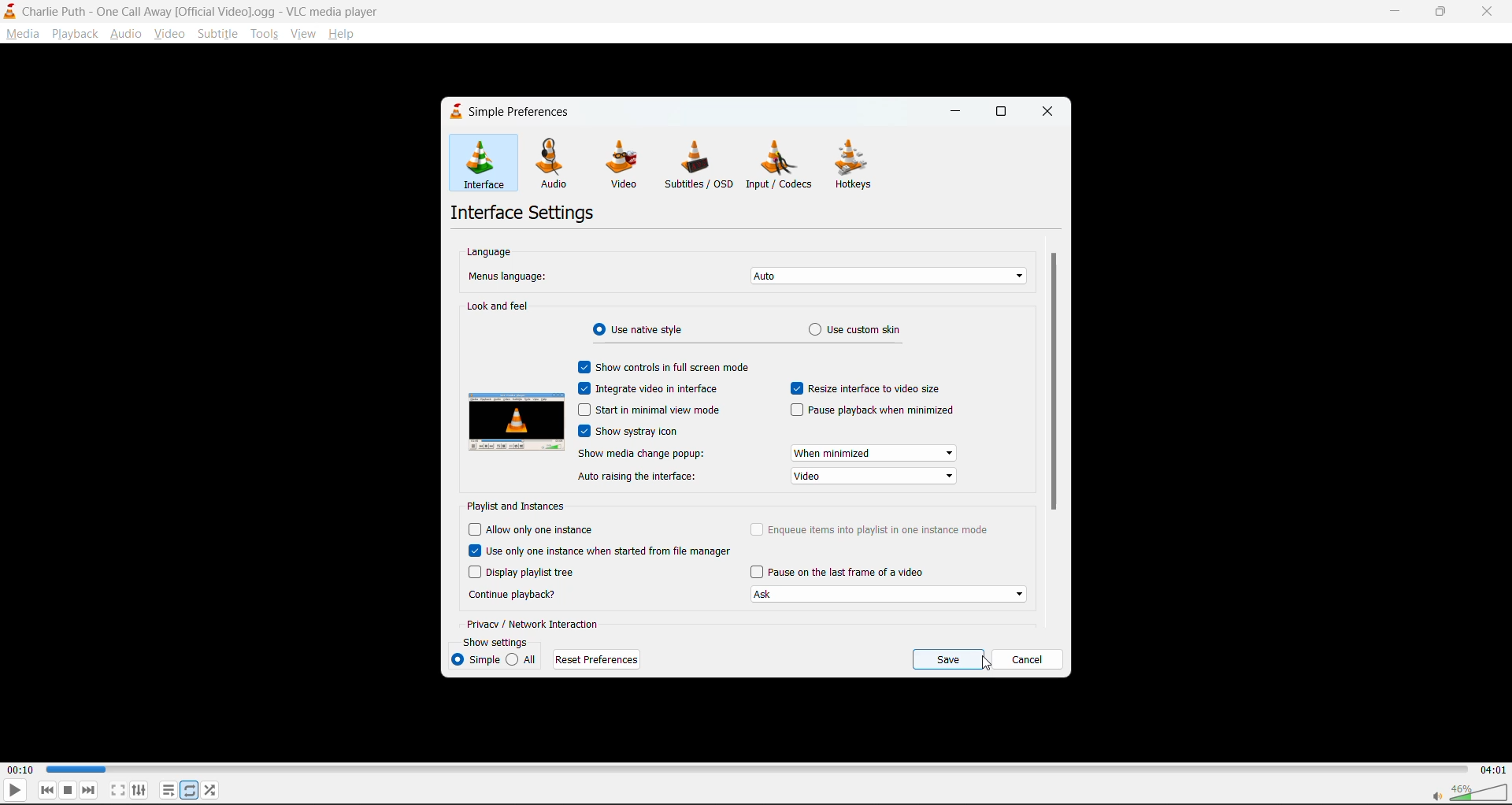 The width and height of the screenshot is (1512, 805). I want to click on enqueue items, so click(885, 530).